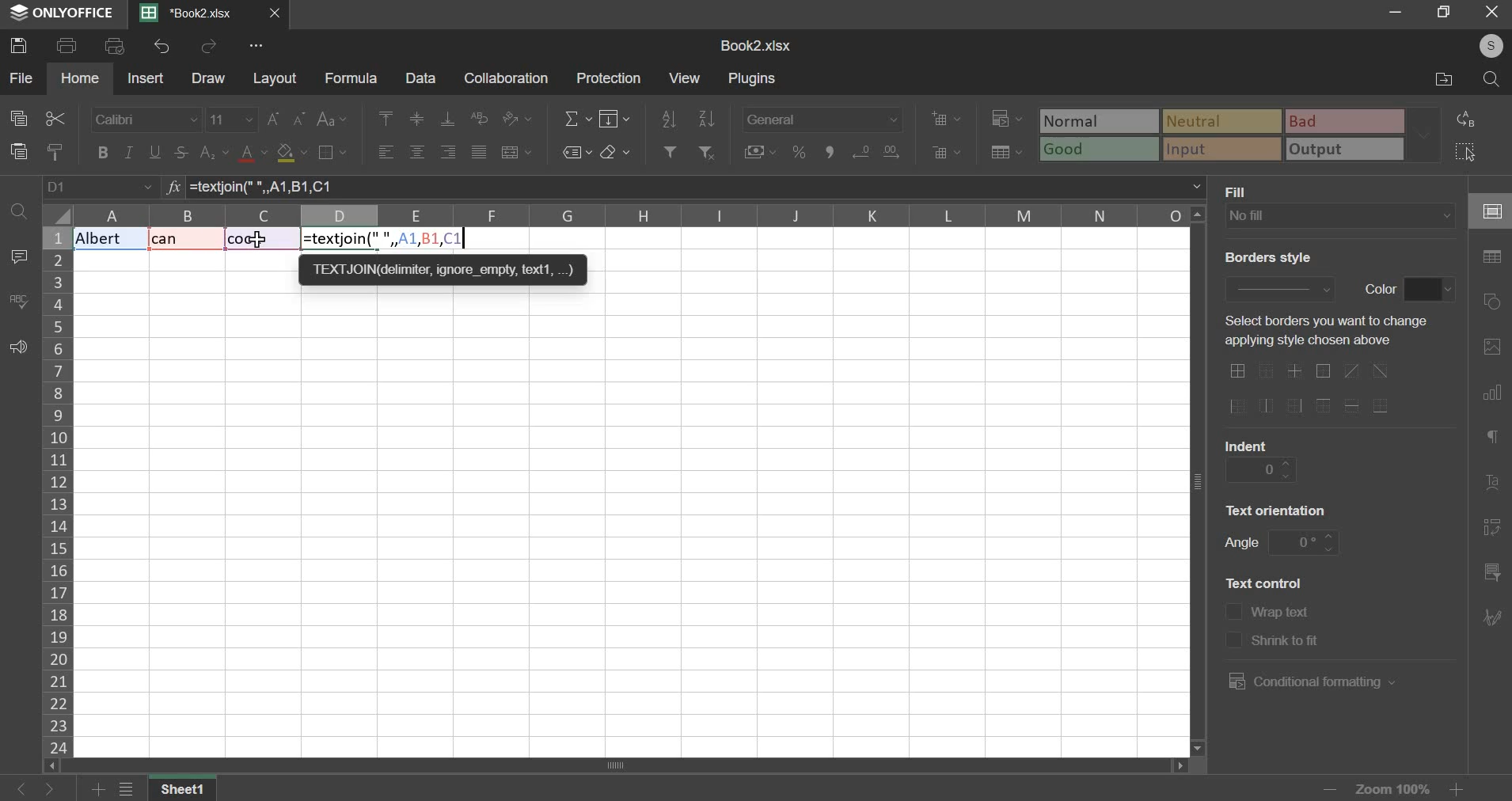 Image resolution: width=1512 pixels, height=801 pixels. What do you see at coordinates (669, 116) in the screenshot?
I see `sort ascending` at bounding box center [669, 116].